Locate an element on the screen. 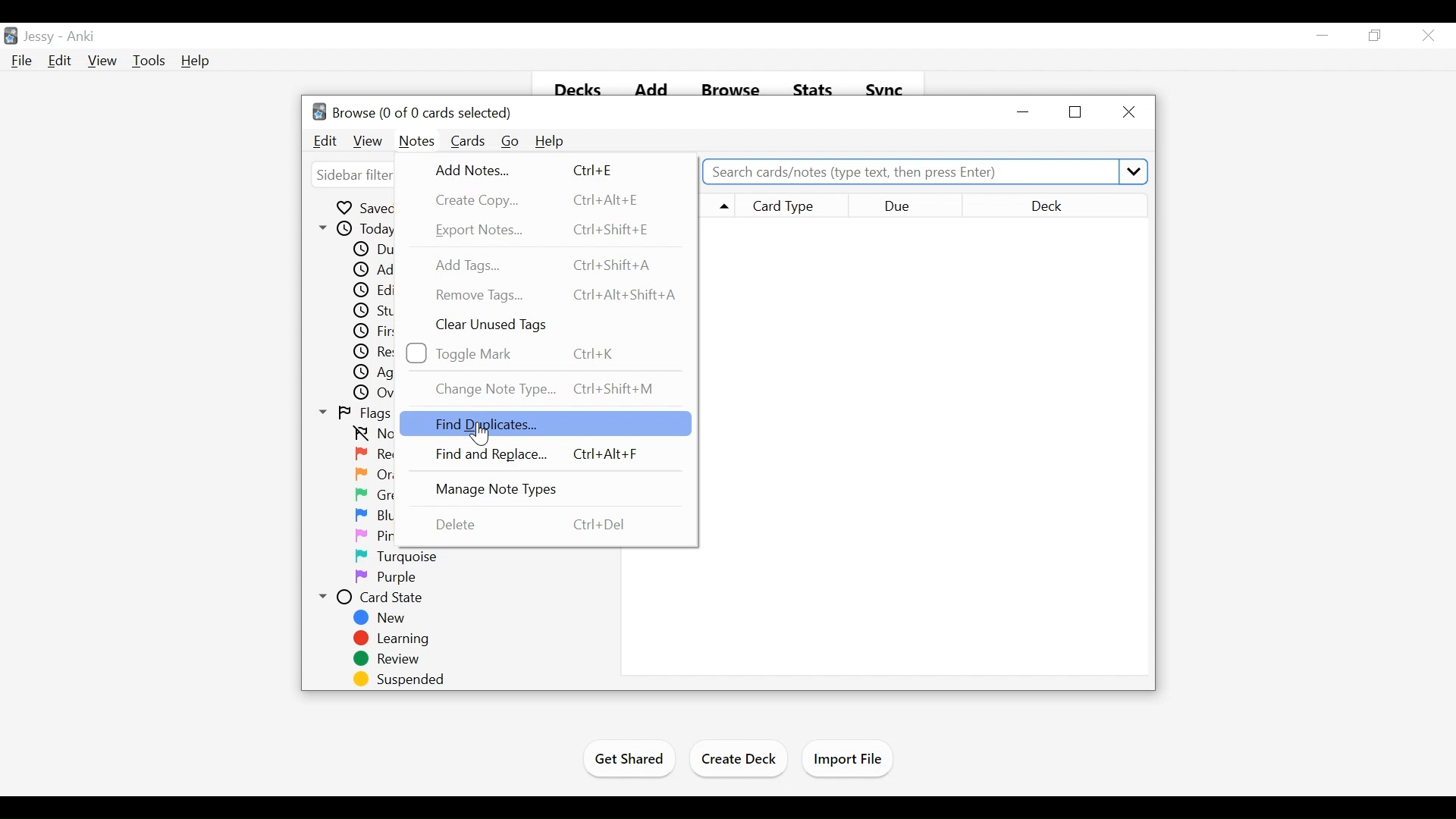  Blue is located at coordinates (380, 516).